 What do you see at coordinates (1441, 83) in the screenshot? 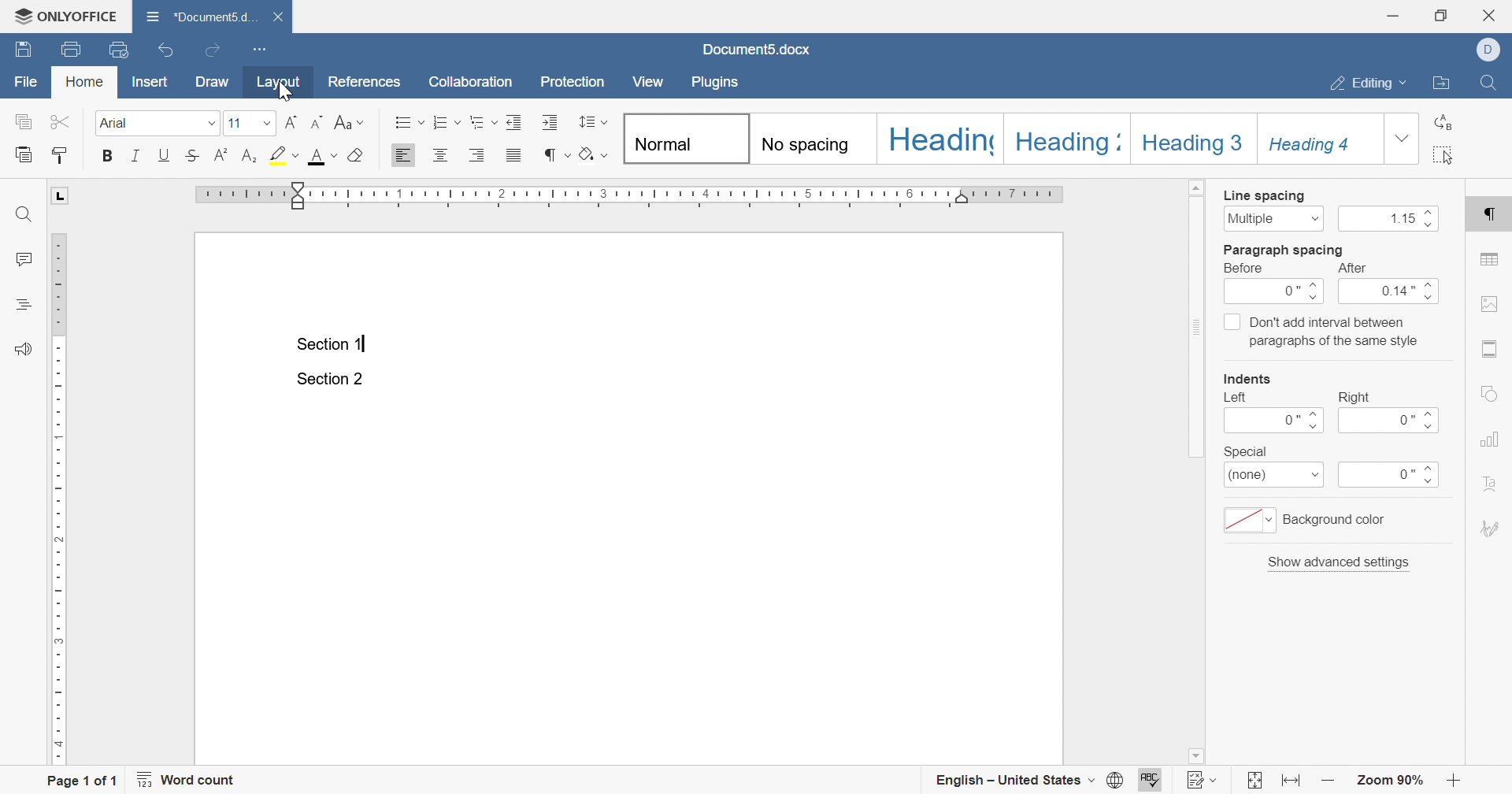
I see `open file location` at bounding box center [1441, 83].